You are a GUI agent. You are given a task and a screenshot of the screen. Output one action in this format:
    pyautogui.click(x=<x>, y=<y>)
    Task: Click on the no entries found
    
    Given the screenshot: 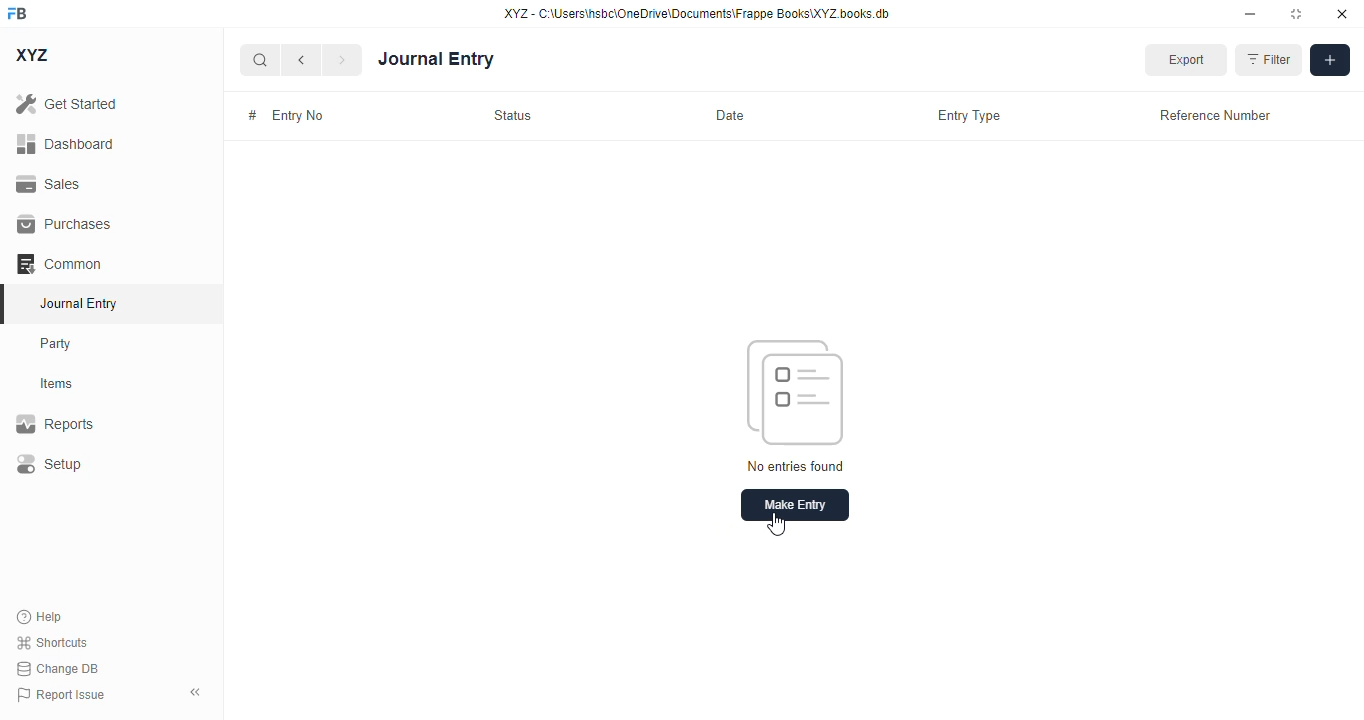 What is the action you would take?
    pyautogui.click(x=796, y=465)
    